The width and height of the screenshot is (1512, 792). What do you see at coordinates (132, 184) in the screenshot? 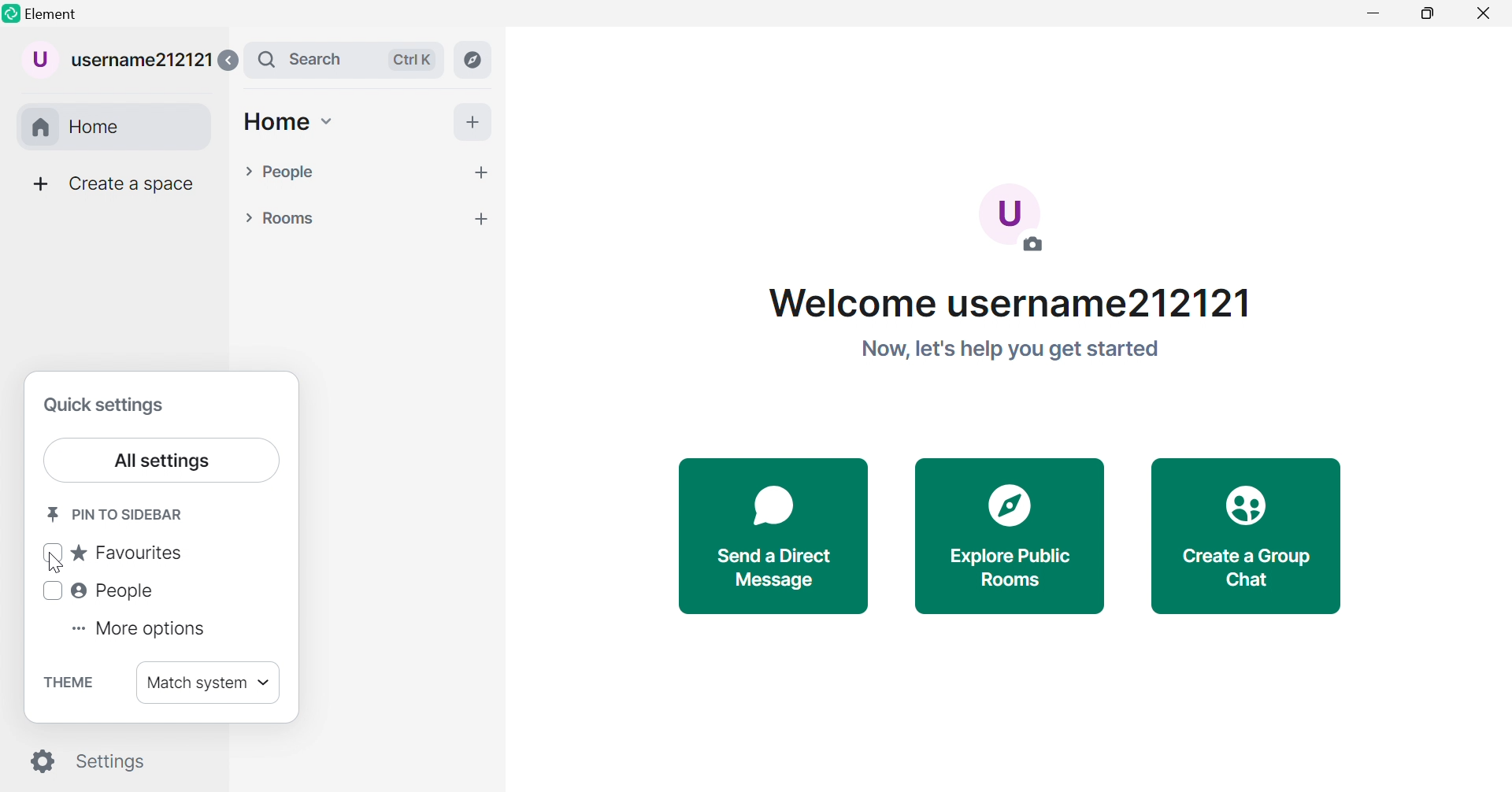
I see `Create a space` at bounding box center [132, 184].